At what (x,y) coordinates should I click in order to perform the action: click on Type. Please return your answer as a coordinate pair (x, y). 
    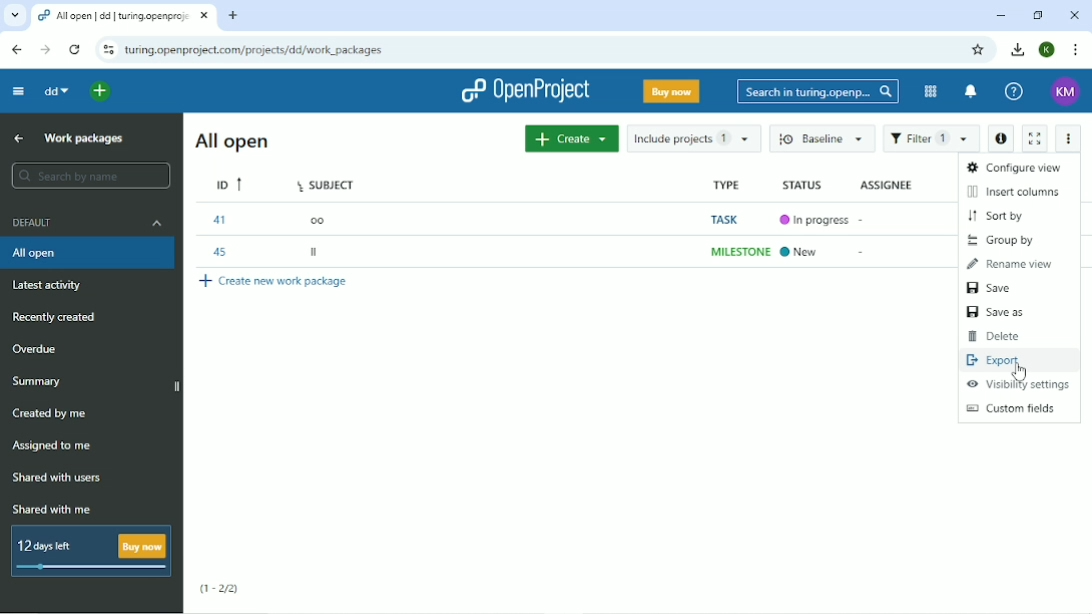
    Looking at the image, I should click on (725, 184).